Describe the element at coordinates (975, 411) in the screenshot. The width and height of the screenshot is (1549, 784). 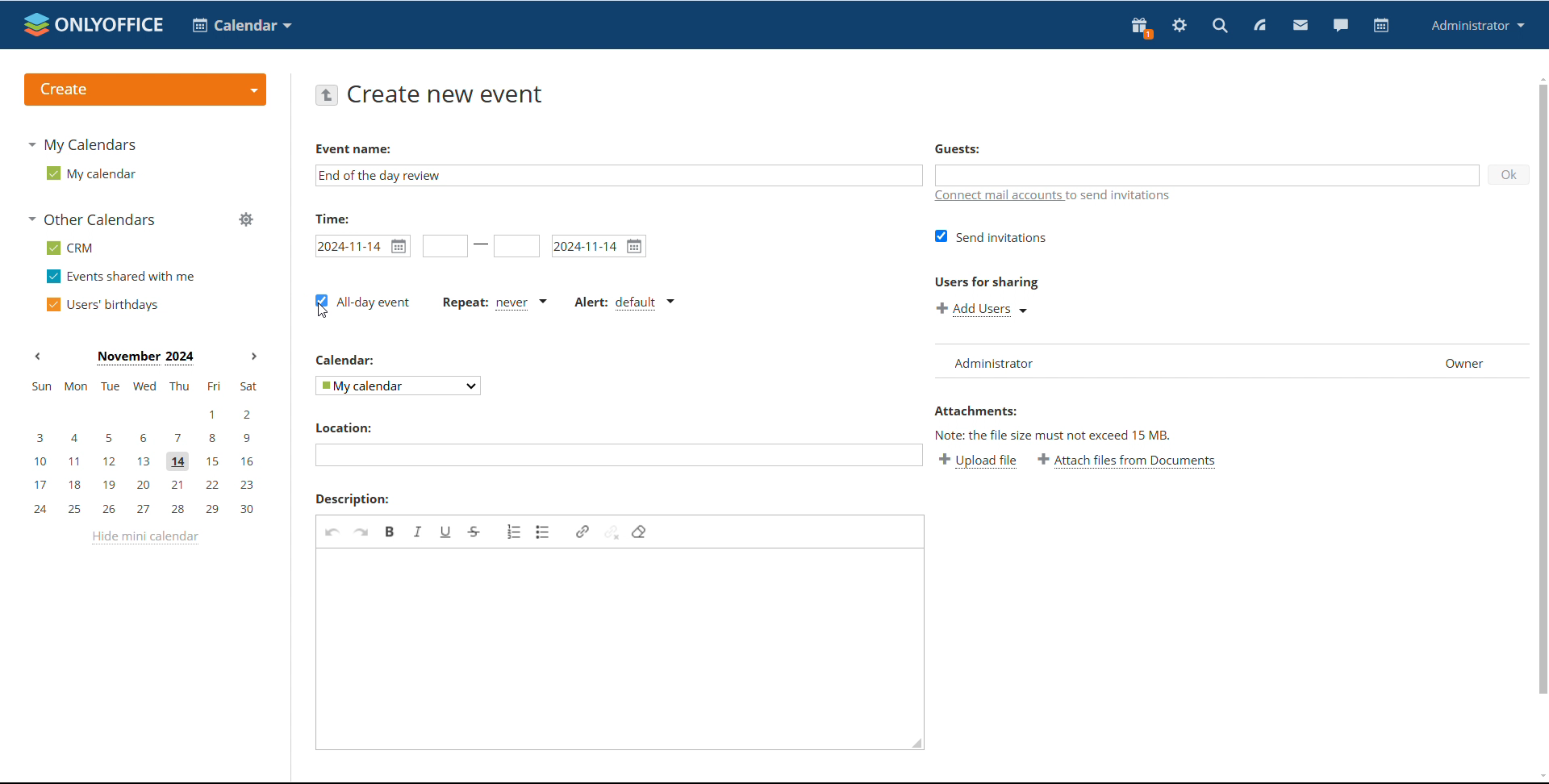
I see `Attachments` at that location.